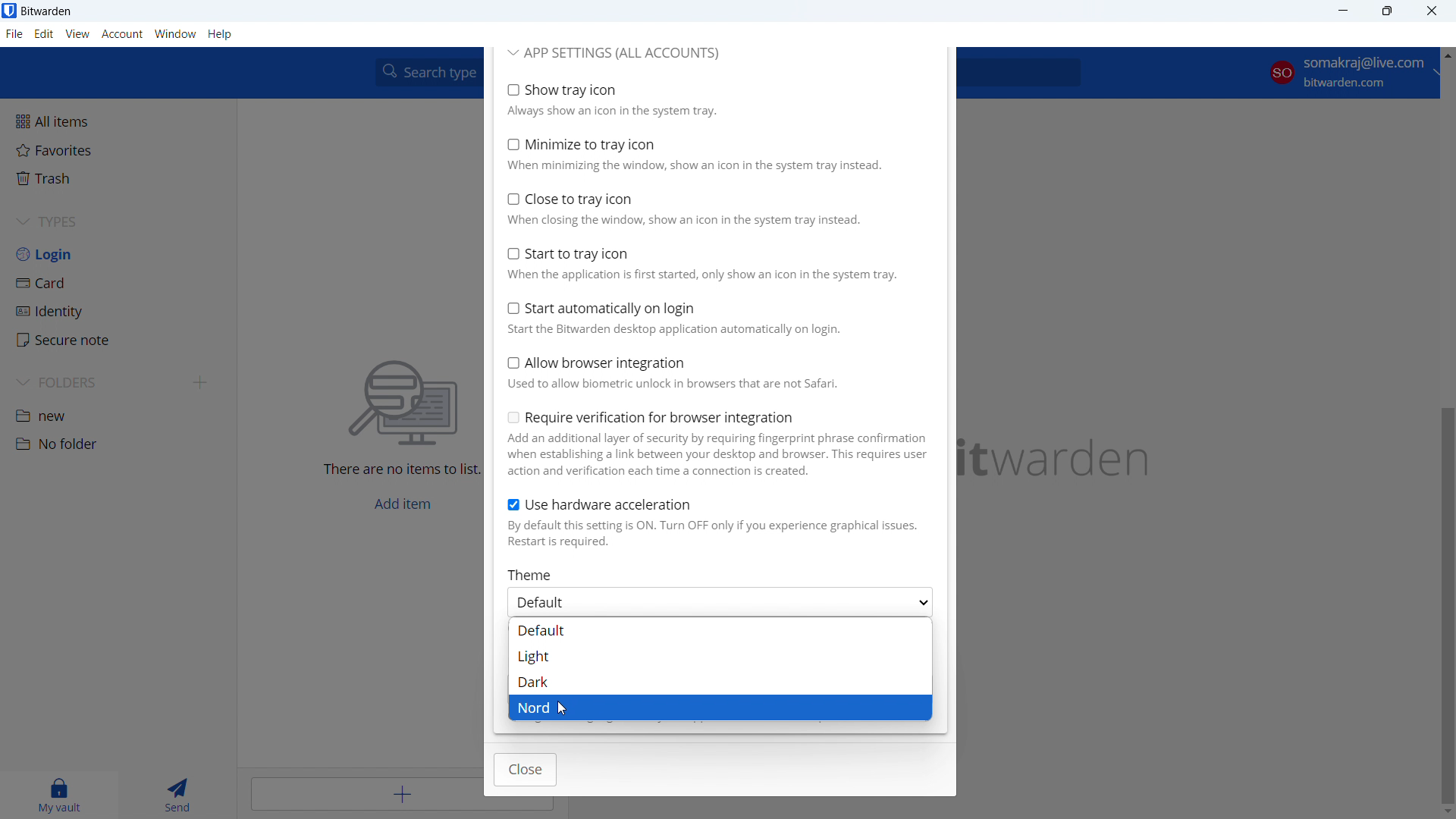 This screenshot has height=819, width=1456. Describe the element at coordinates (122, 35) in the screenshot. I see `account` at that location.